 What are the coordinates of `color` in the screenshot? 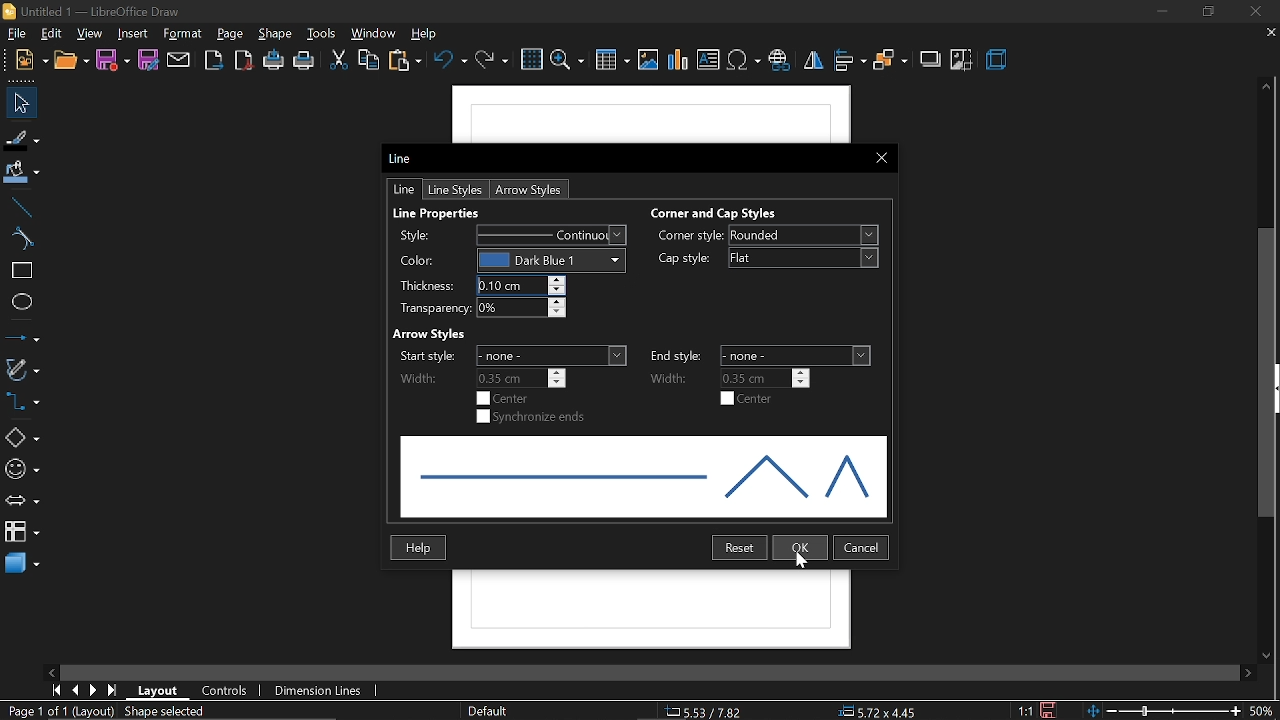 It's located at (554, 259).